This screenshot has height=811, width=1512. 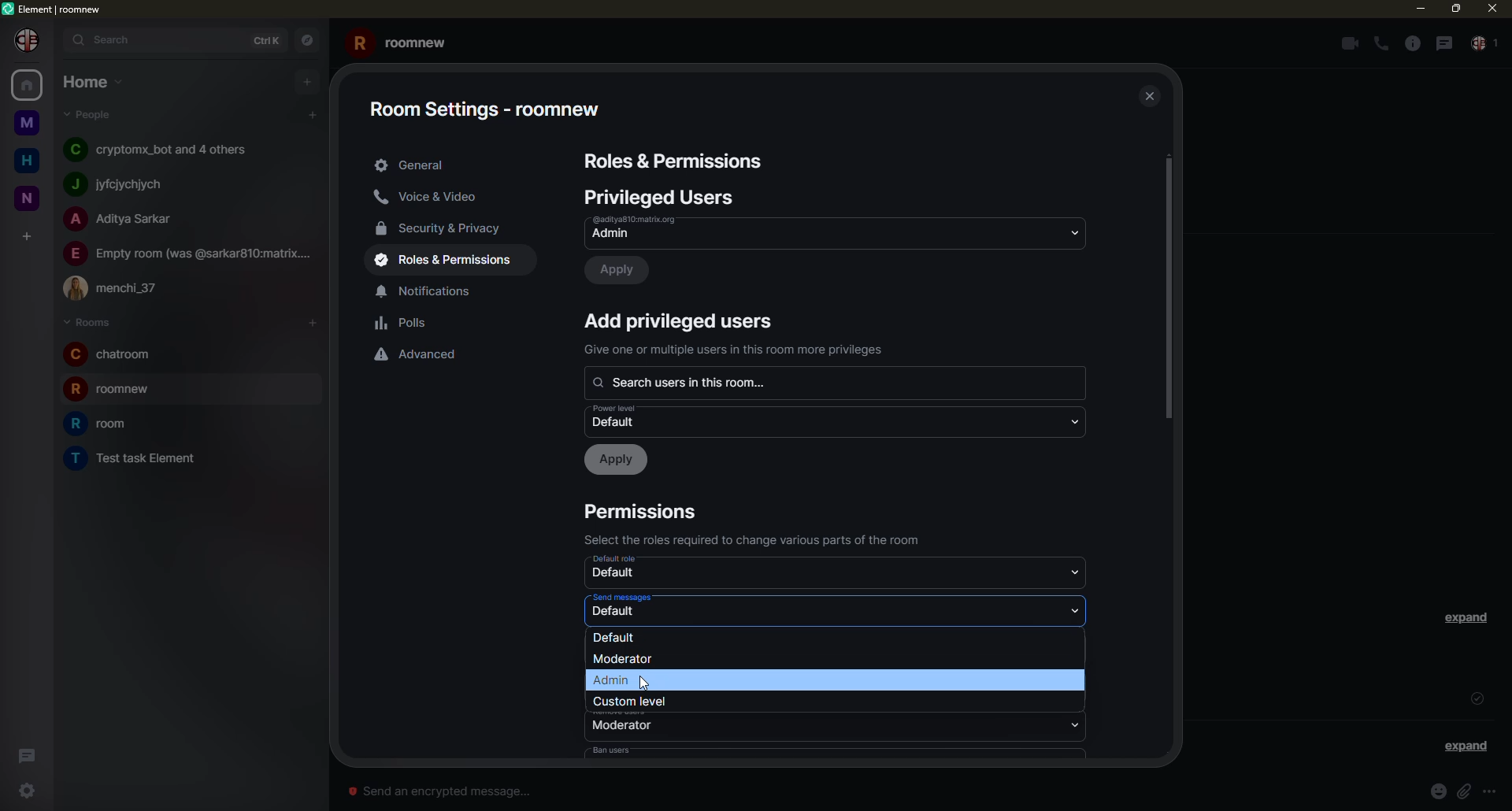 What do you see at coordinates (28, 40) in the screenshot?
I see `profile` at bounding box center [28, 40].